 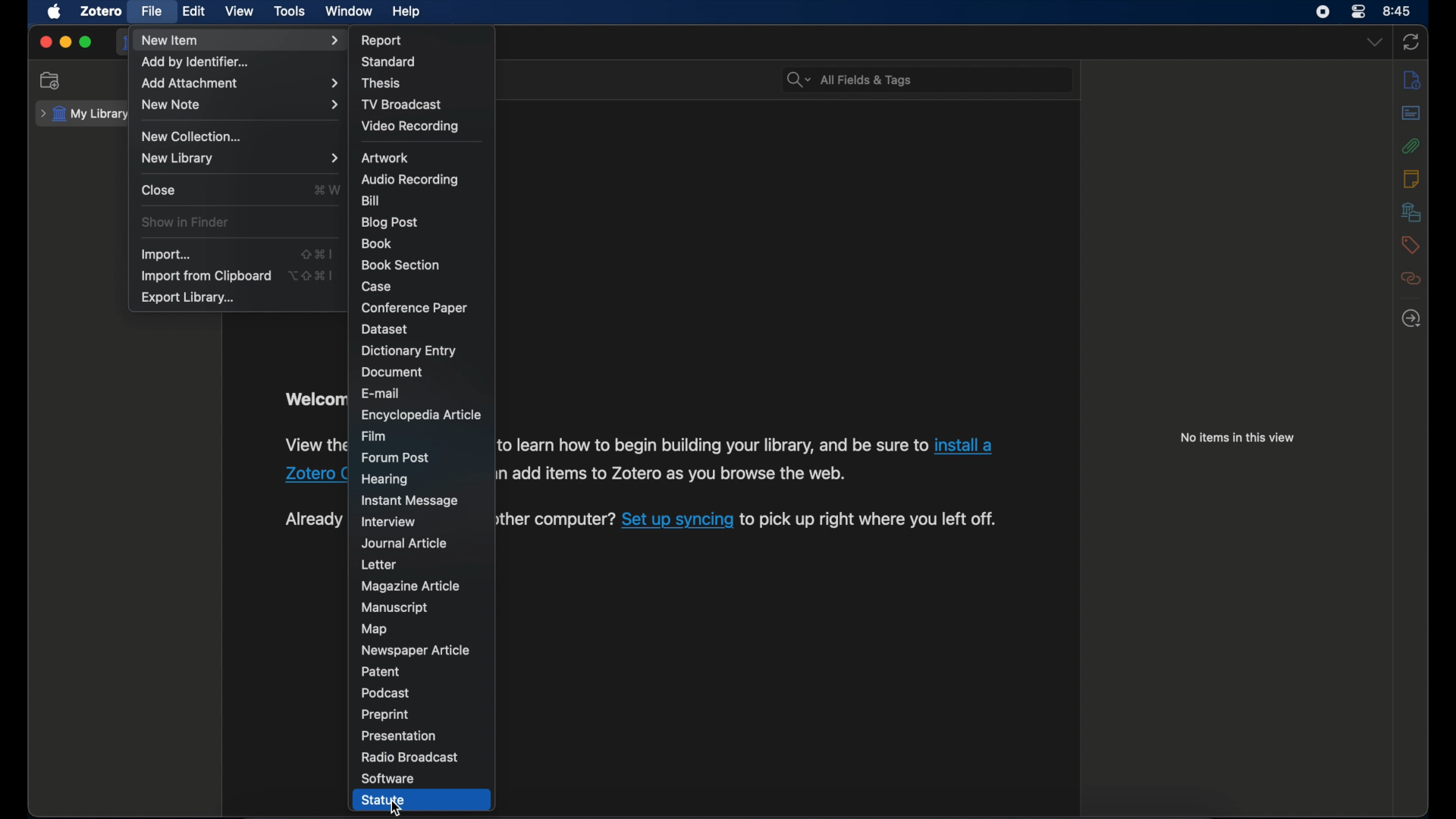 I want to click on magazine article, so click(x=409, y=585).